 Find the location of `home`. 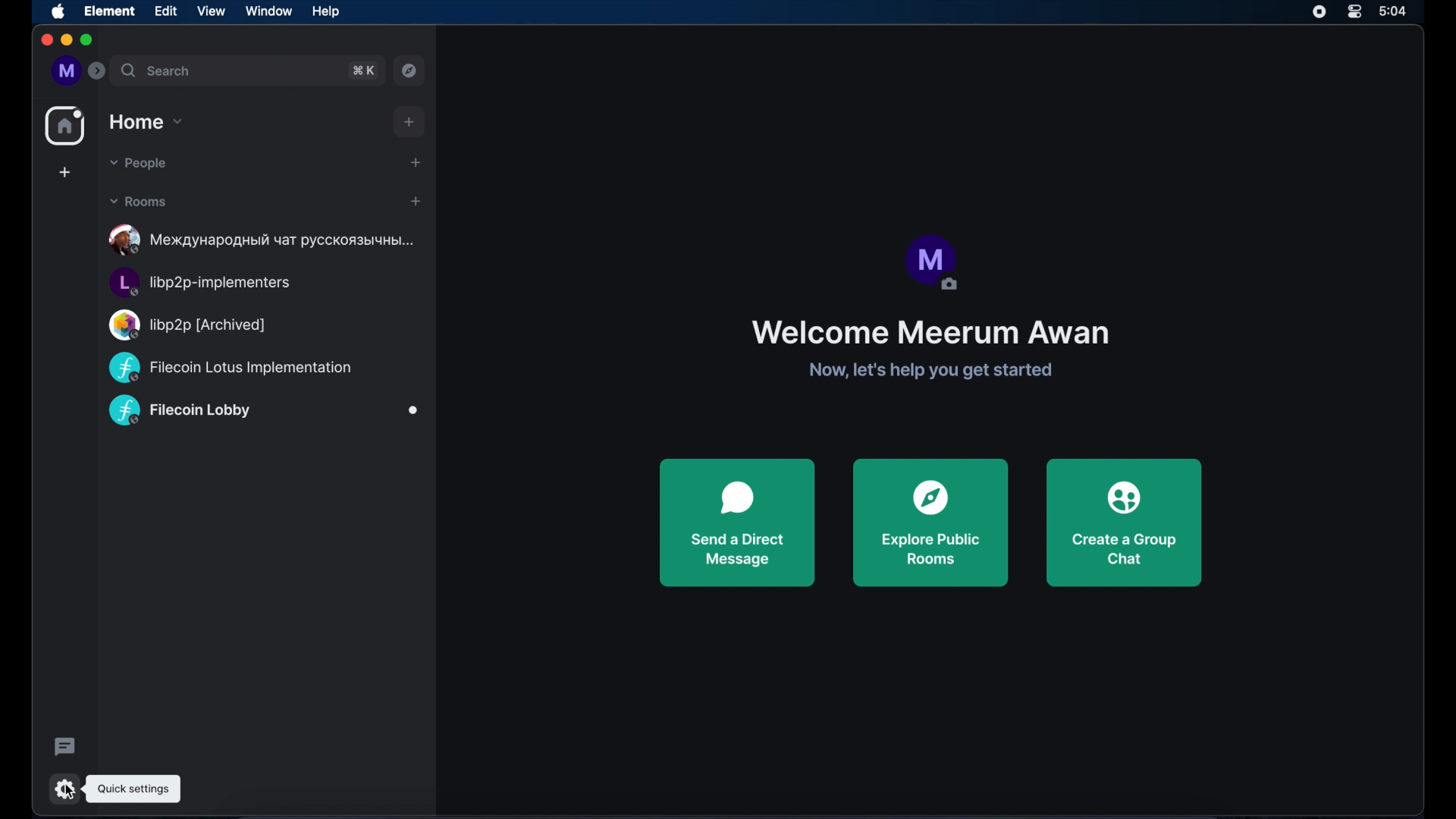

home is located at coordinates (65, 126).